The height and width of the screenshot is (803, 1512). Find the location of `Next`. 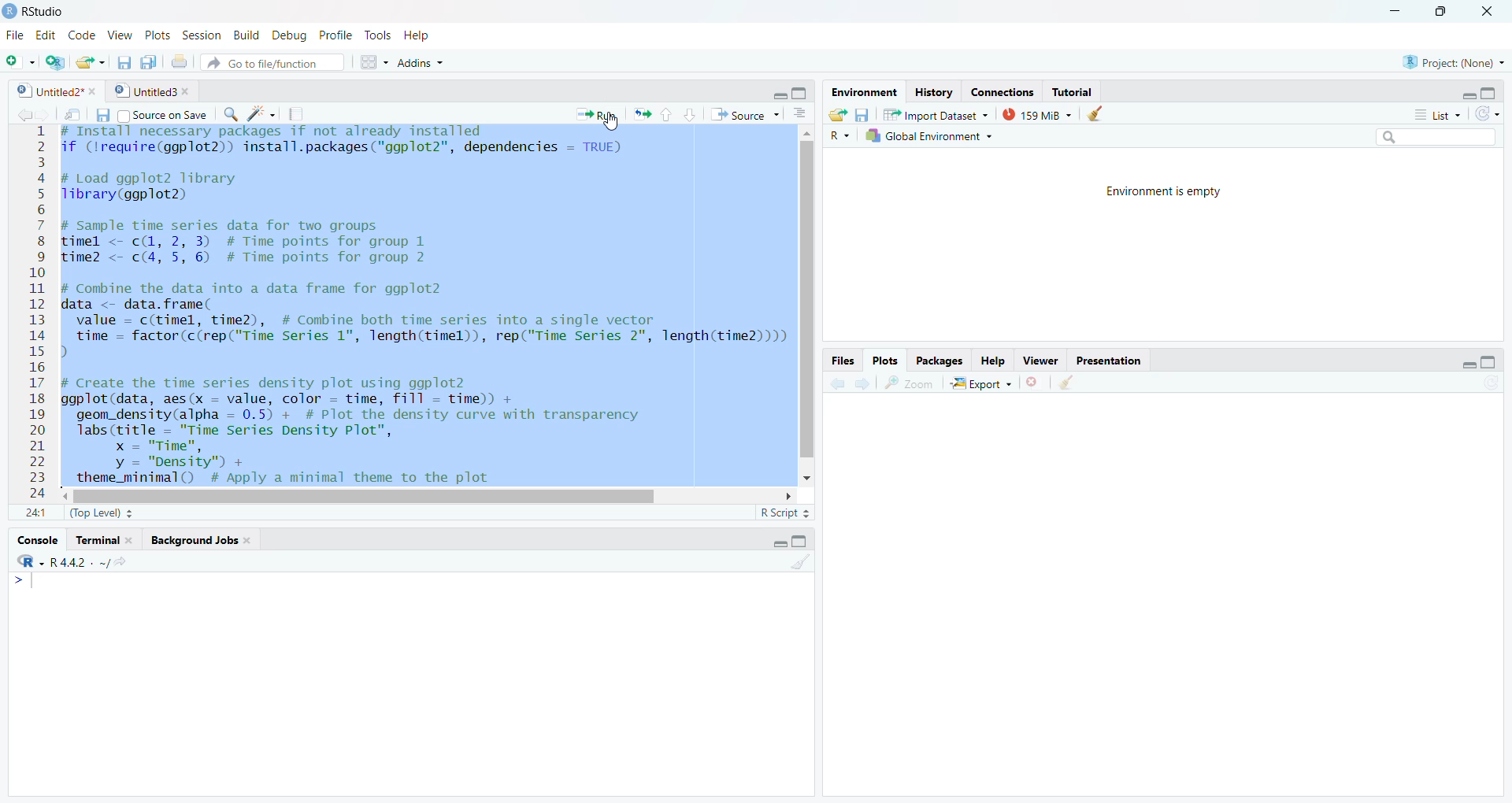

Next is located at coordinates (859, 385).